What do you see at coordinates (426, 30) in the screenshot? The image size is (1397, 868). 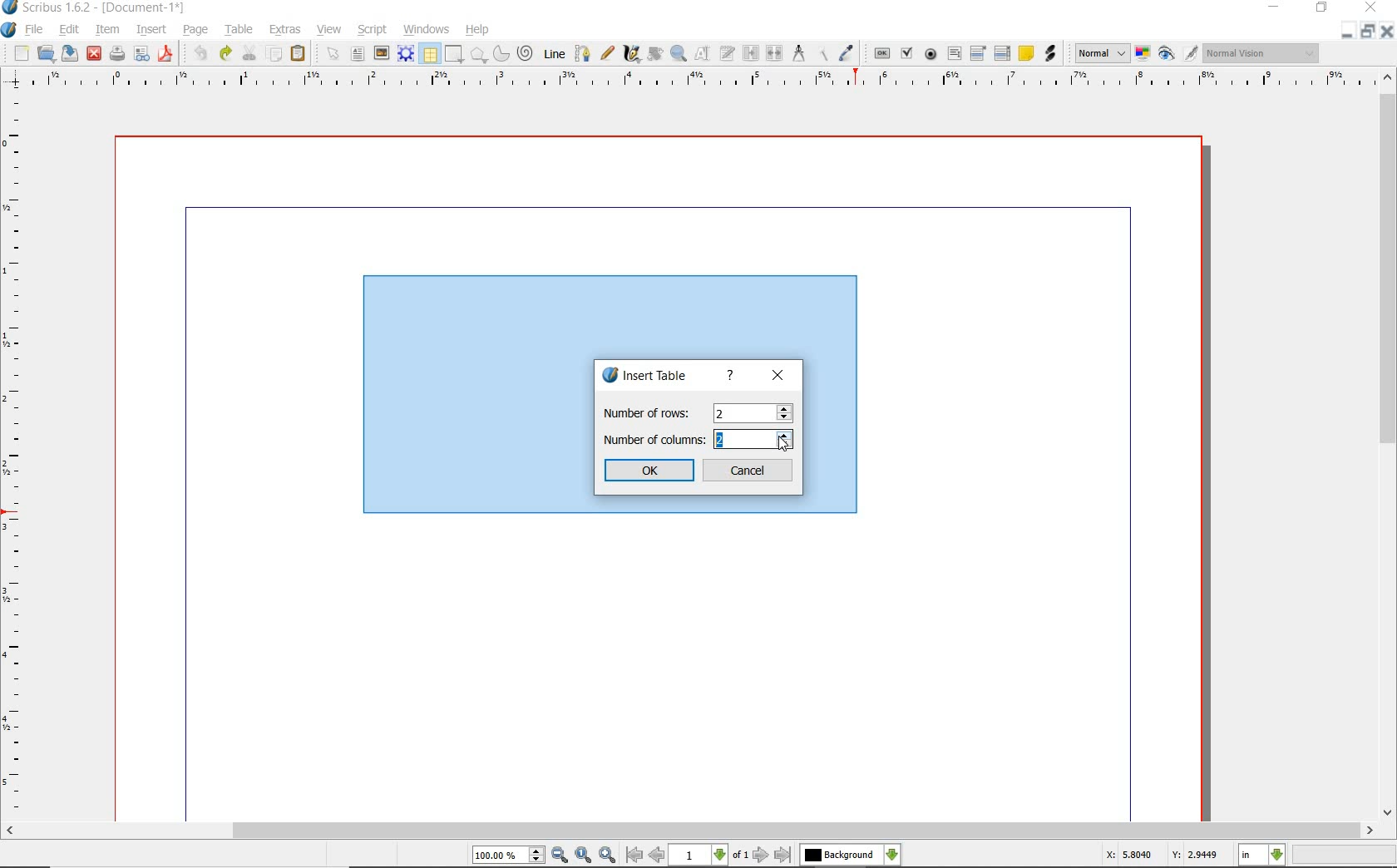 I see `windows` at bounding box center [426, 30].